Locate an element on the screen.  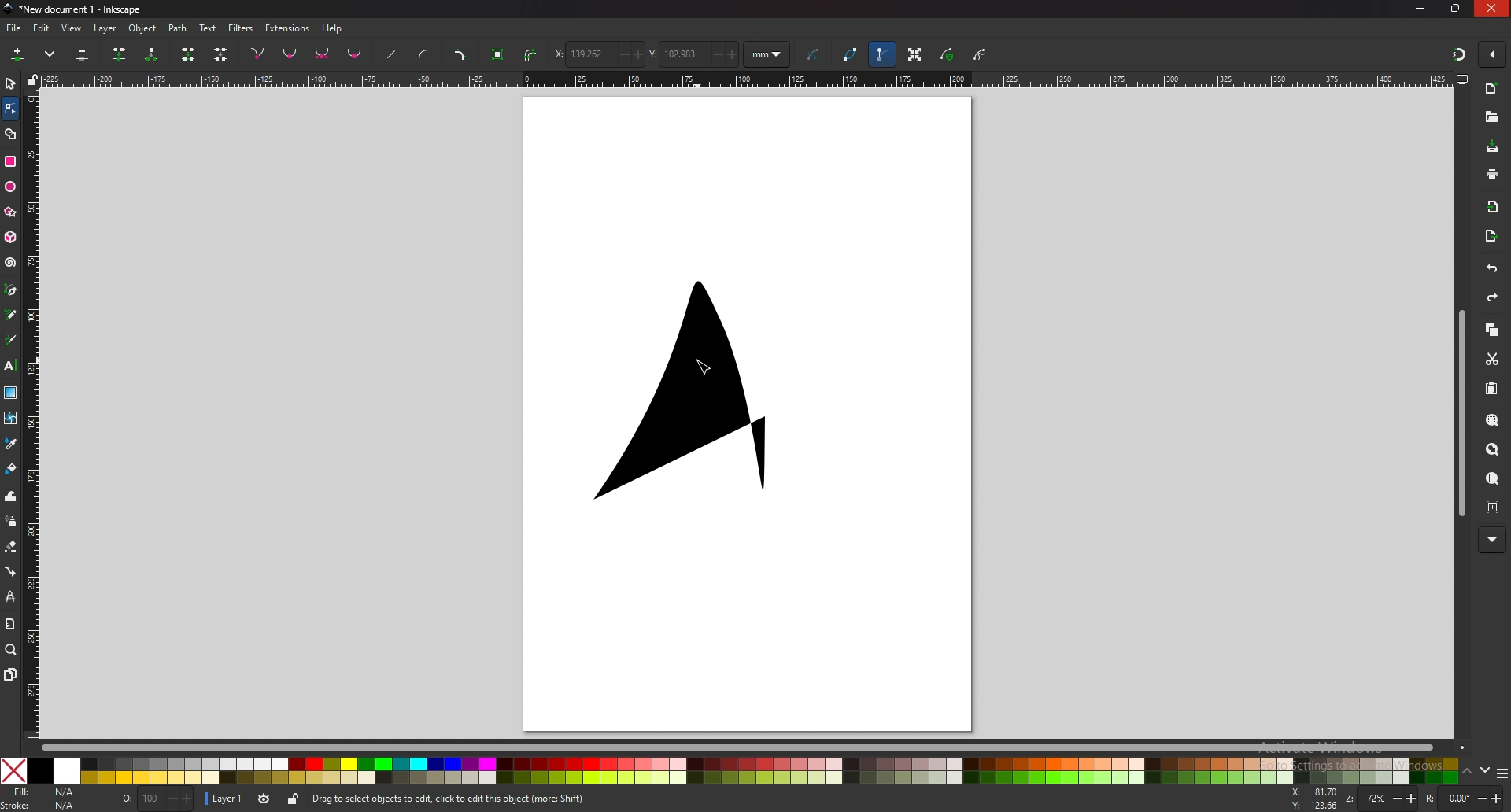
options is located at coordinates (1502, 773).